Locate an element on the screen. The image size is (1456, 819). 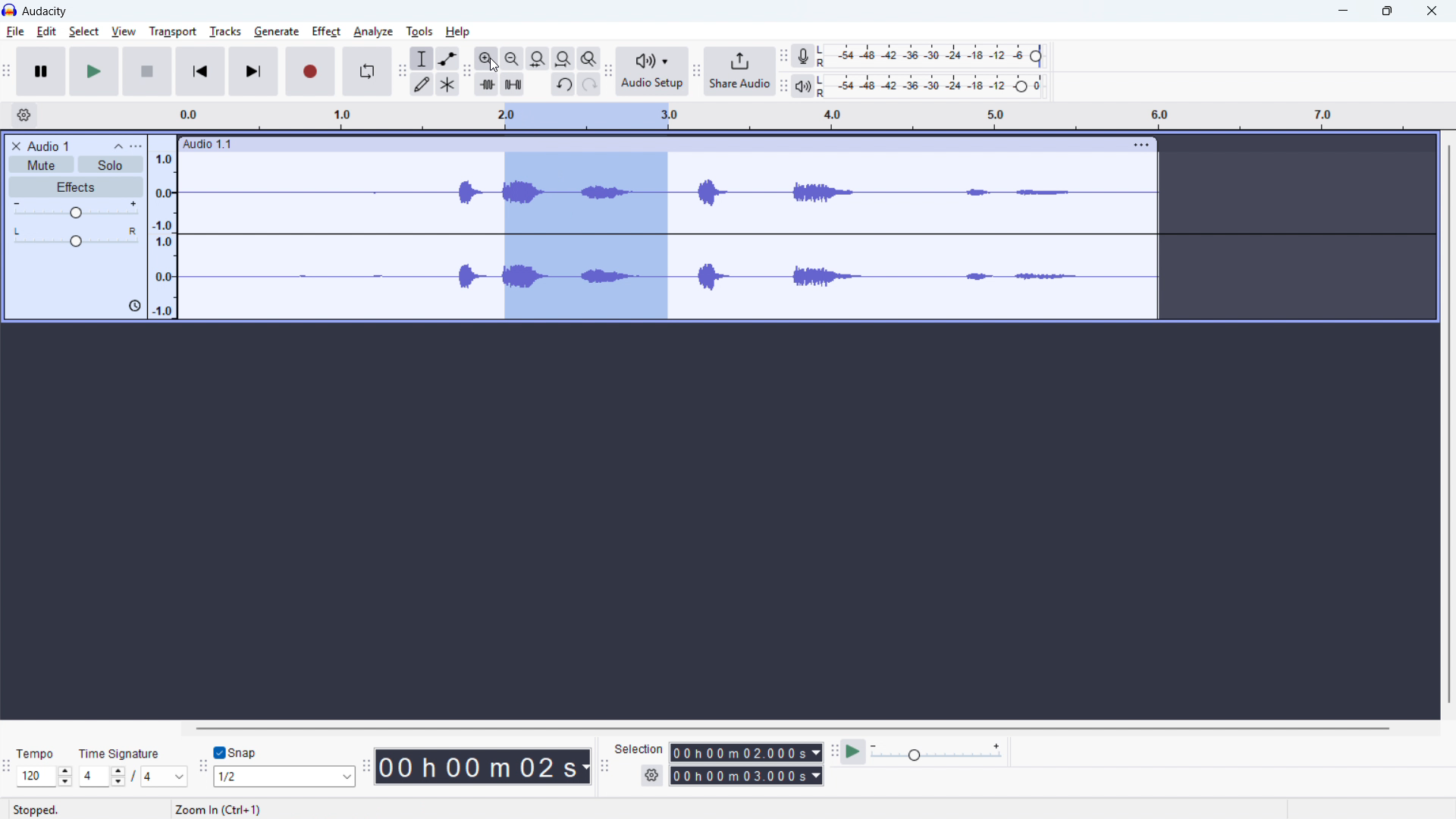
Horizontal scroll bar is located at coordinates (763, 728).